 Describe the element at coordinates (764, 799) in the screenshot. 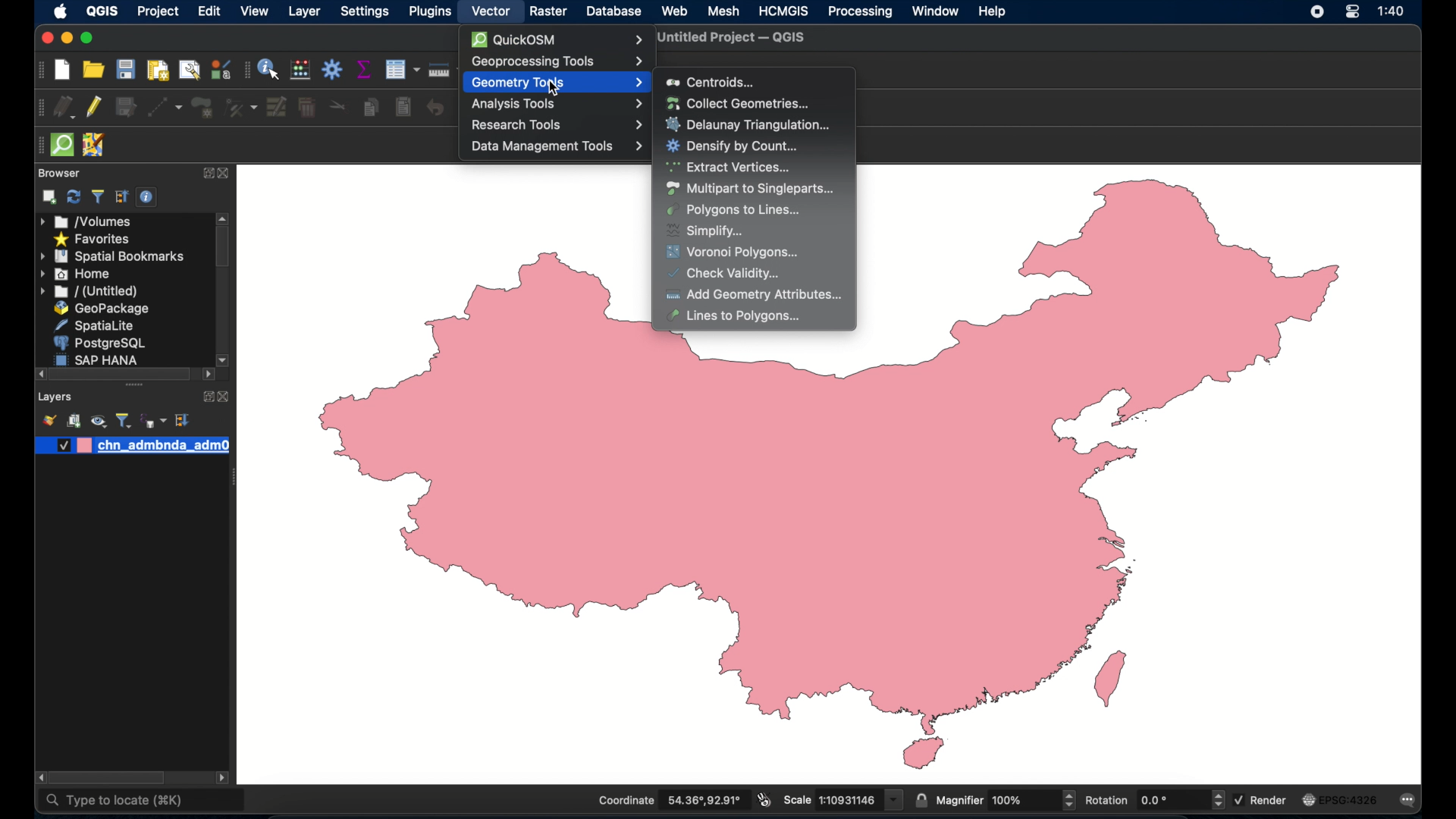

I see `toggle extents and mouse display position` at that location.